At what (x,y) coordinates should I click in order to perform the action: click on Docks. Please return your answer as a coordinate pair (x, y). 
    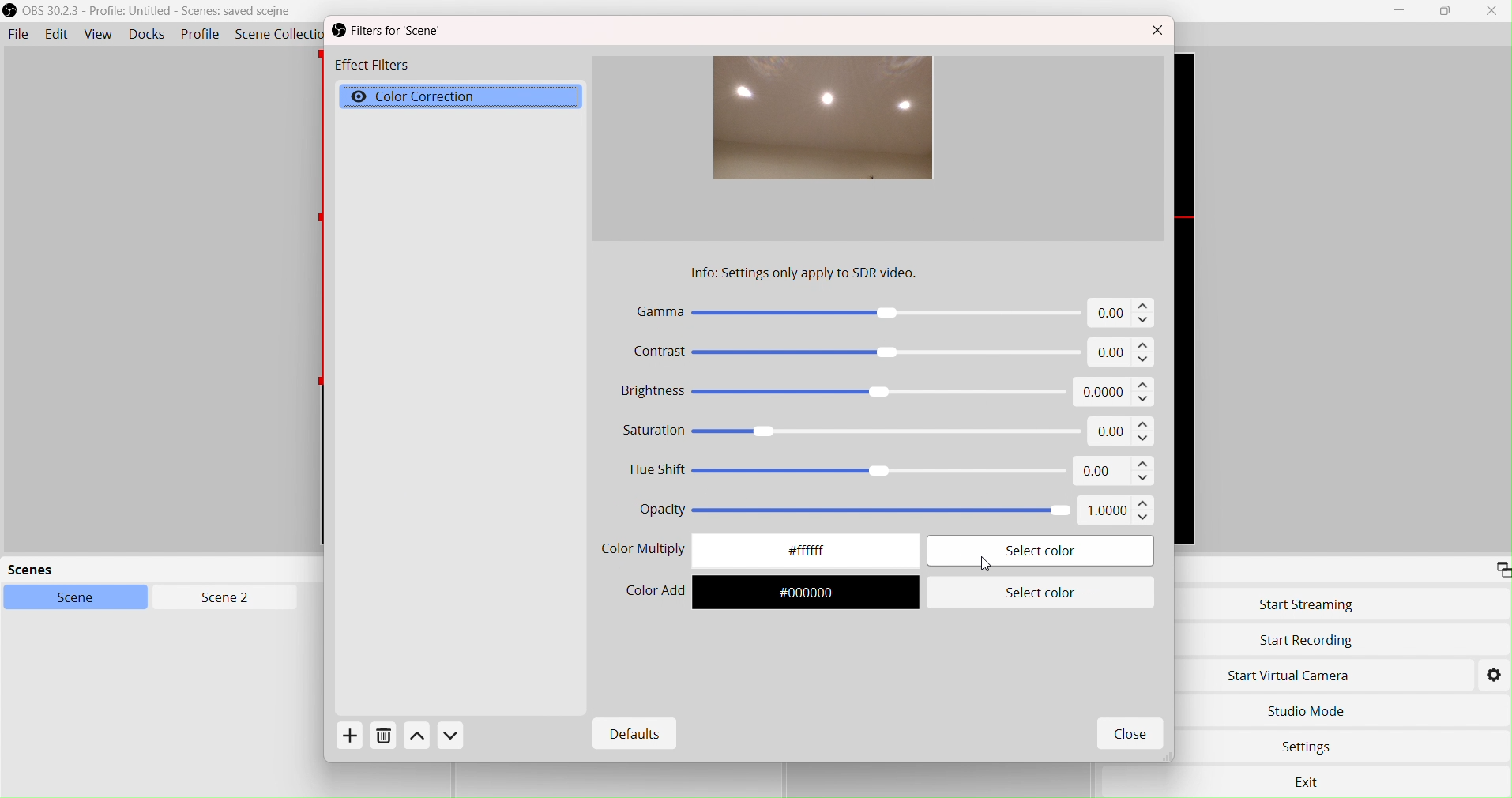
    Looking at the image, I should click on (151, 36).